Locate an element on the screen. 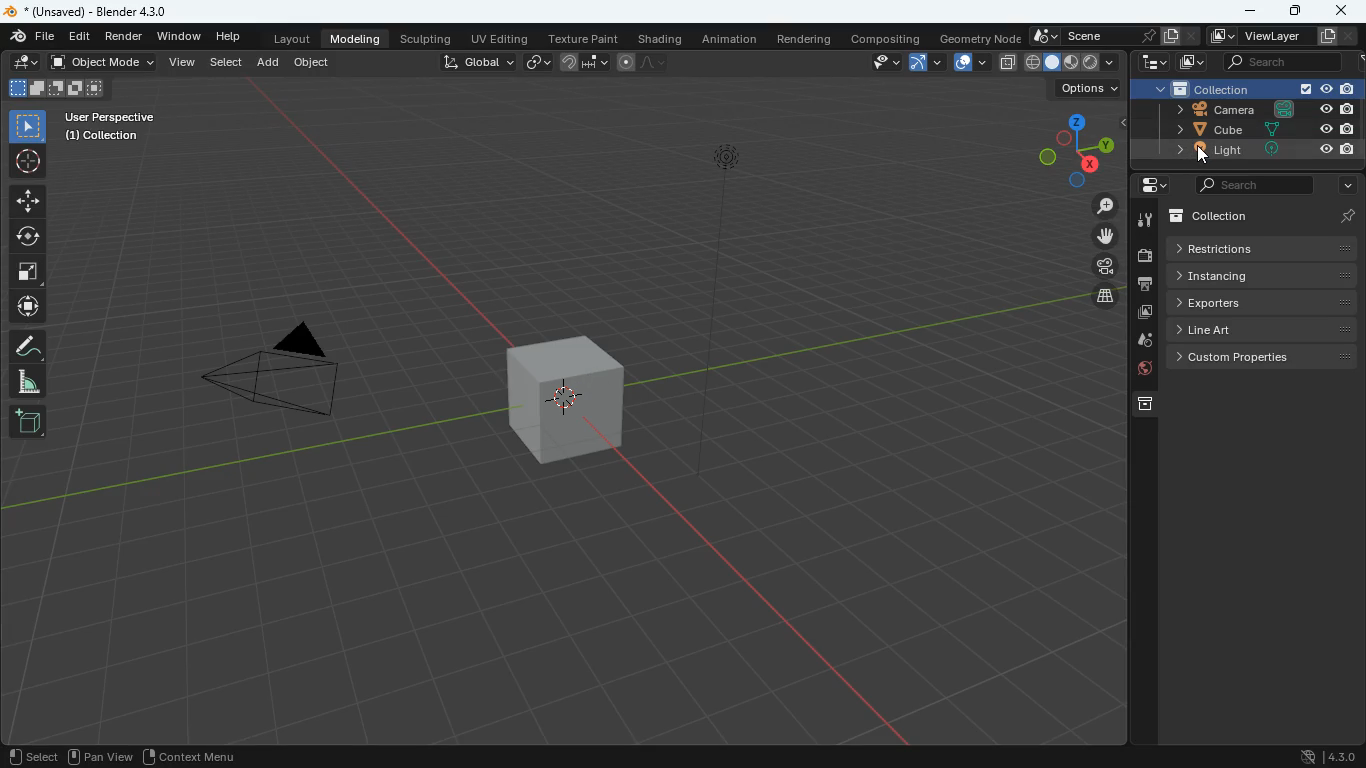 The height and width of the screenshot is (768, 1366). shading is located at coordinates (663, 39).